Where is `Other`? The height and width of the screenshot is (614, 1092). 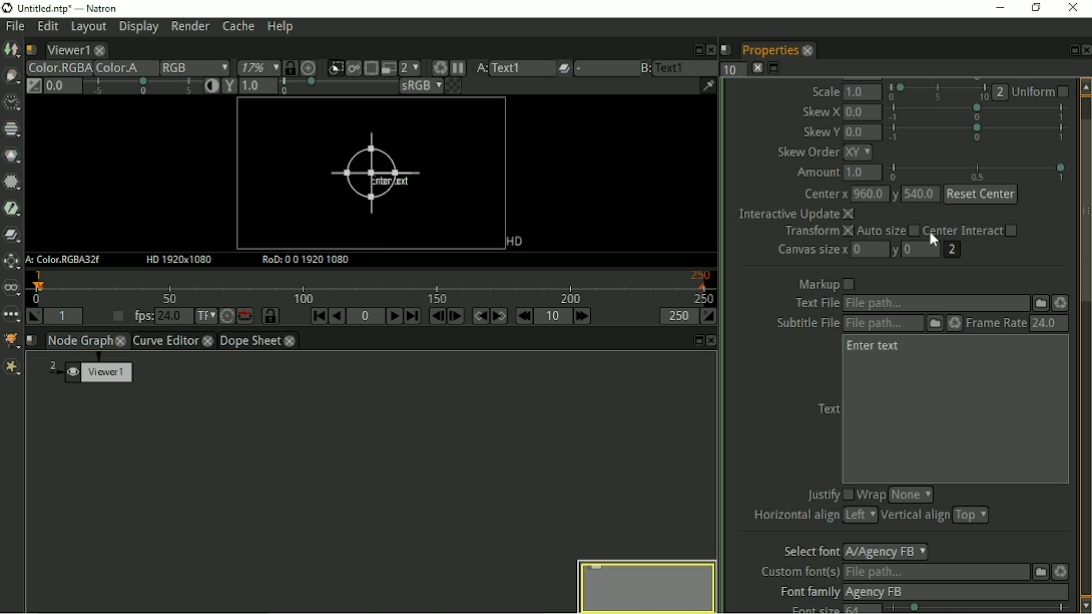 Other is located at coordinates (11, 317).